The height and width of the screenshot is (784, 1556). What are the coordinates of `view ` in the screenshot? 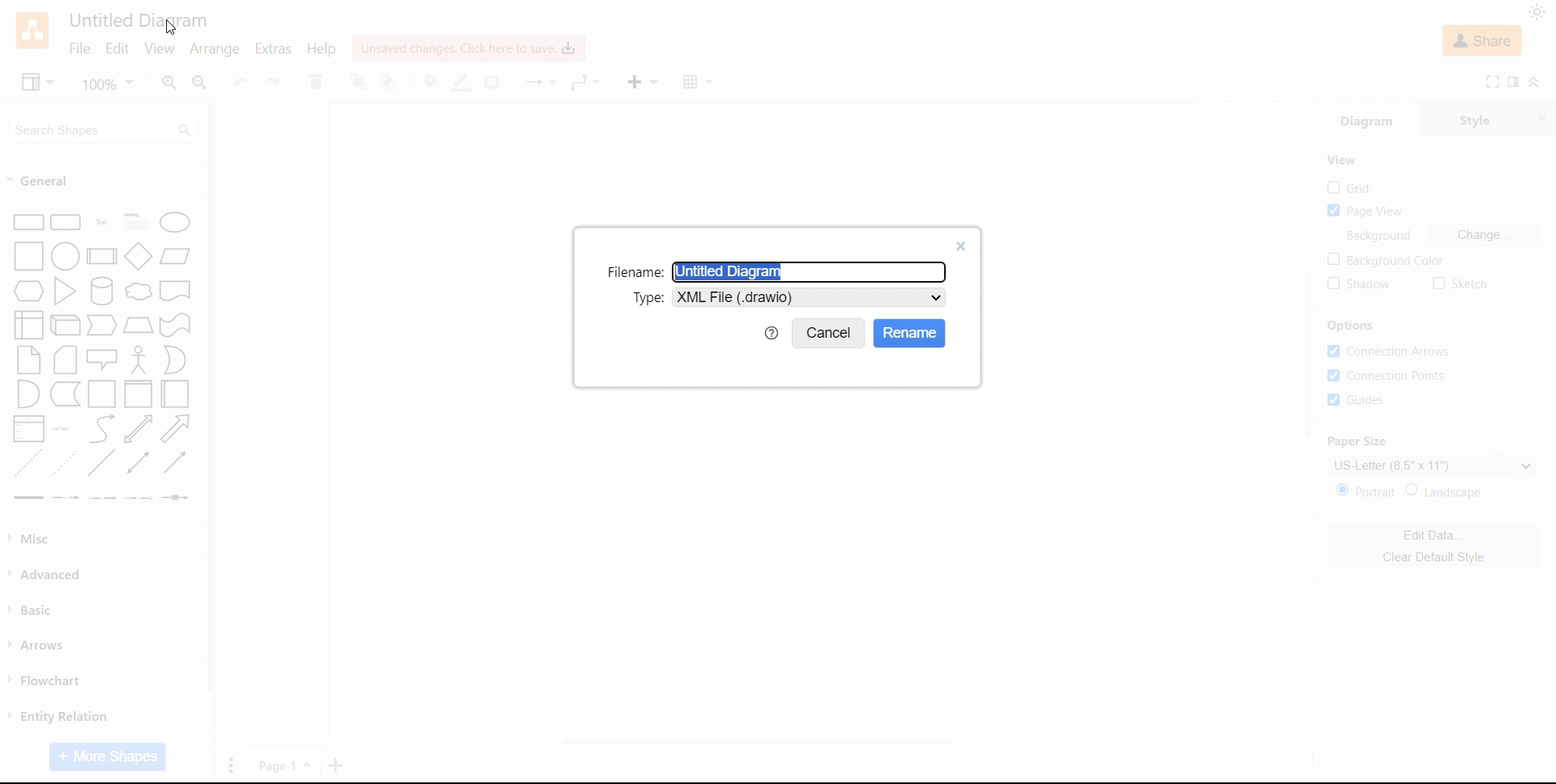 It's located at (37, 81).